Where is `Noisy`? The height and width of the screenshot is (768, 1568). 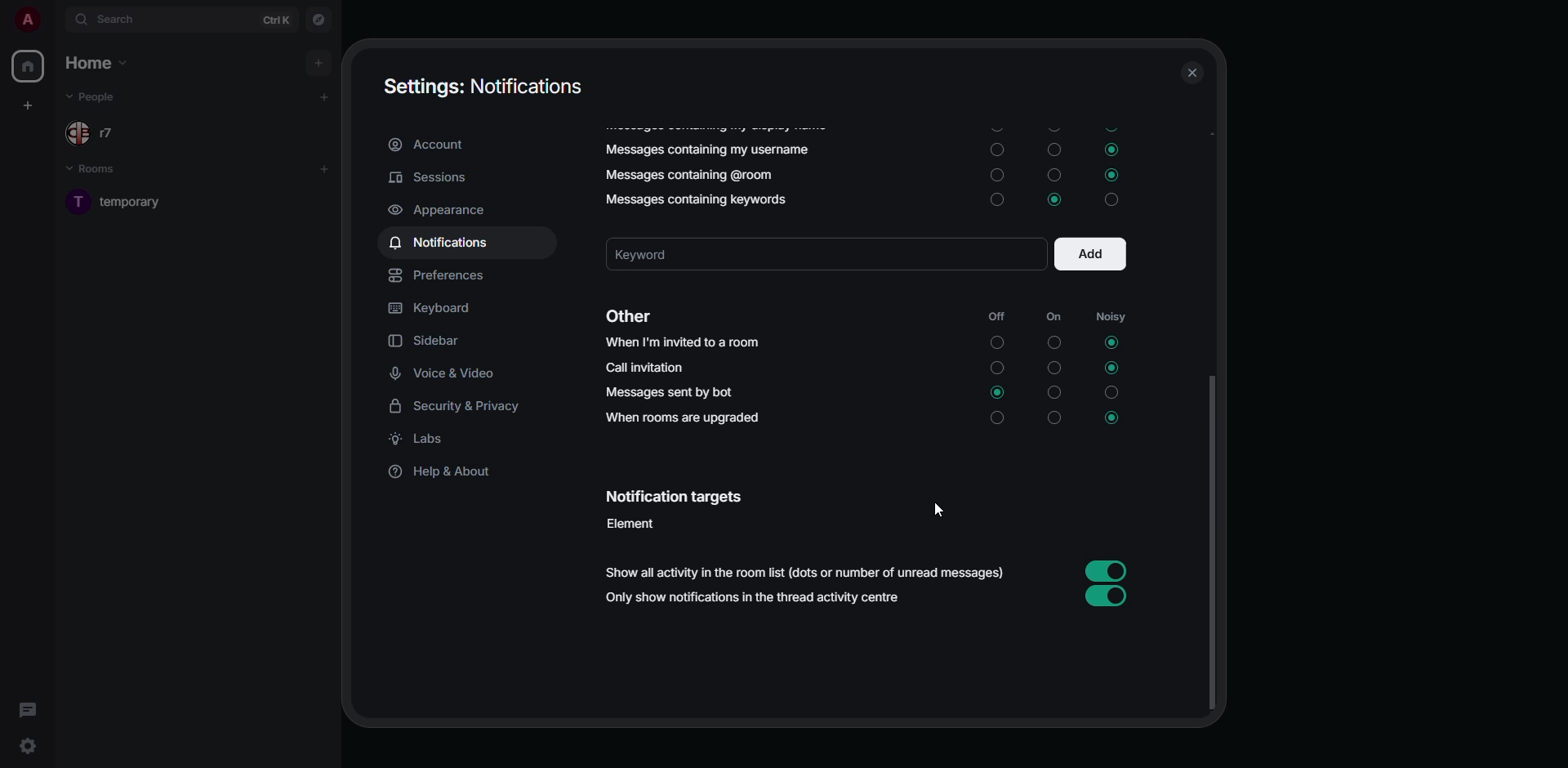
Noisy is located at coordinates (1111, 201).